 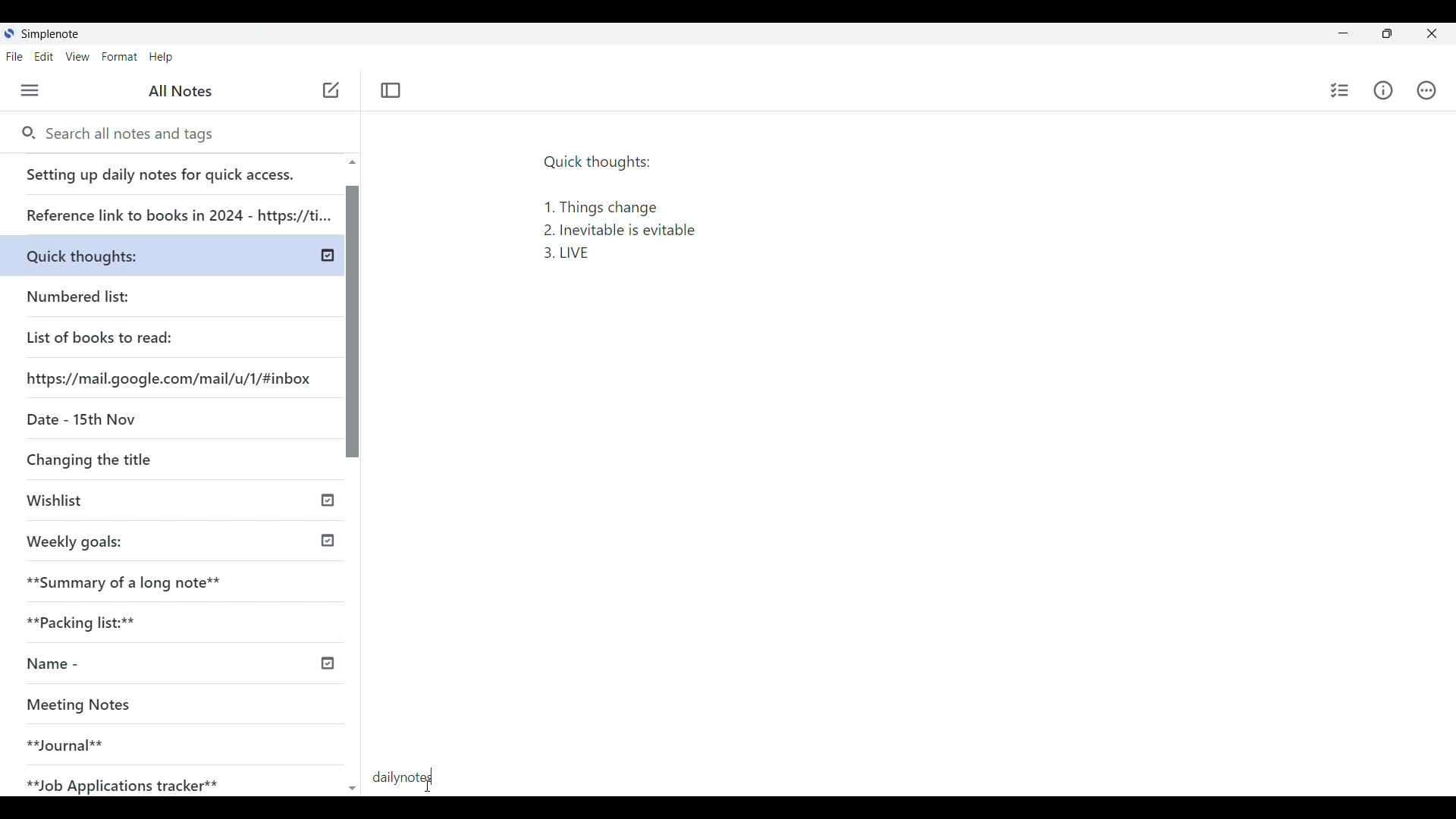 What do you see at coordinates (118, 253) in the screenshot?
I see `Quick thoughts` at bounding box center [118, 253].